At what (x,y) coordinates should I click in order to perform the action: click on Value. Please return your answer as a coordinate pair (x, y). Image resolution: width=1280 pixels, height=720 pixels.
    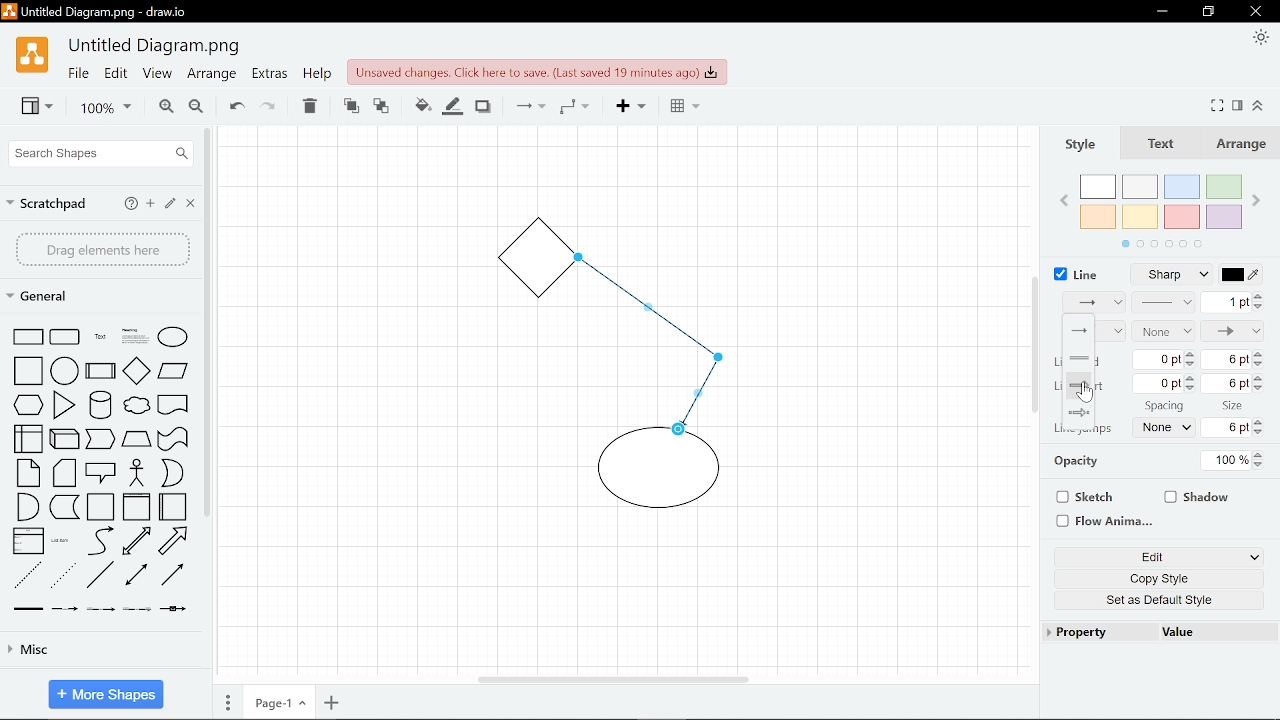
    Looking at the image, I should click on (1179, 634).